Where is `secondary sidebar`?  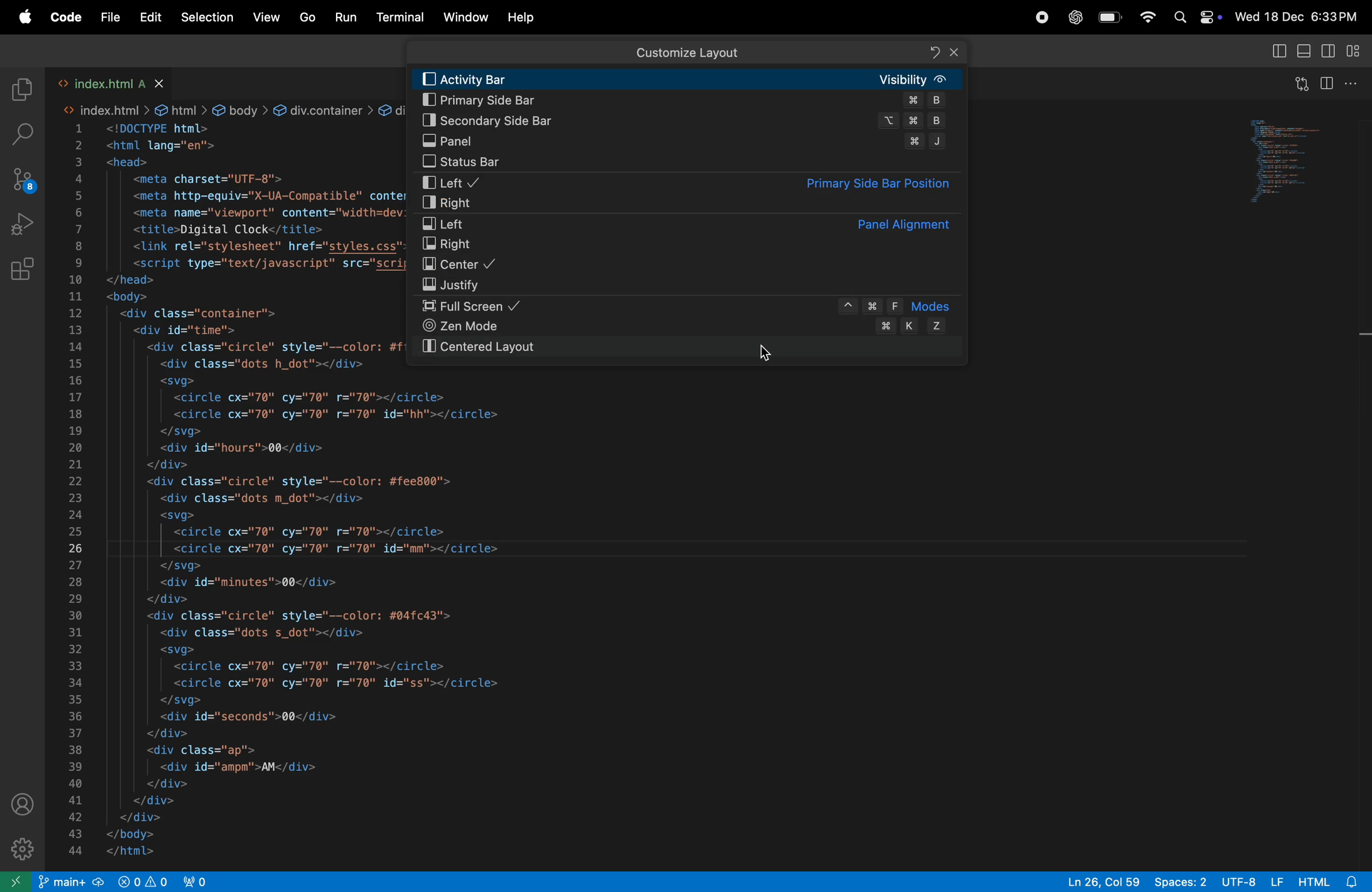
secondary sidebar is located at coordinates (689, 120).